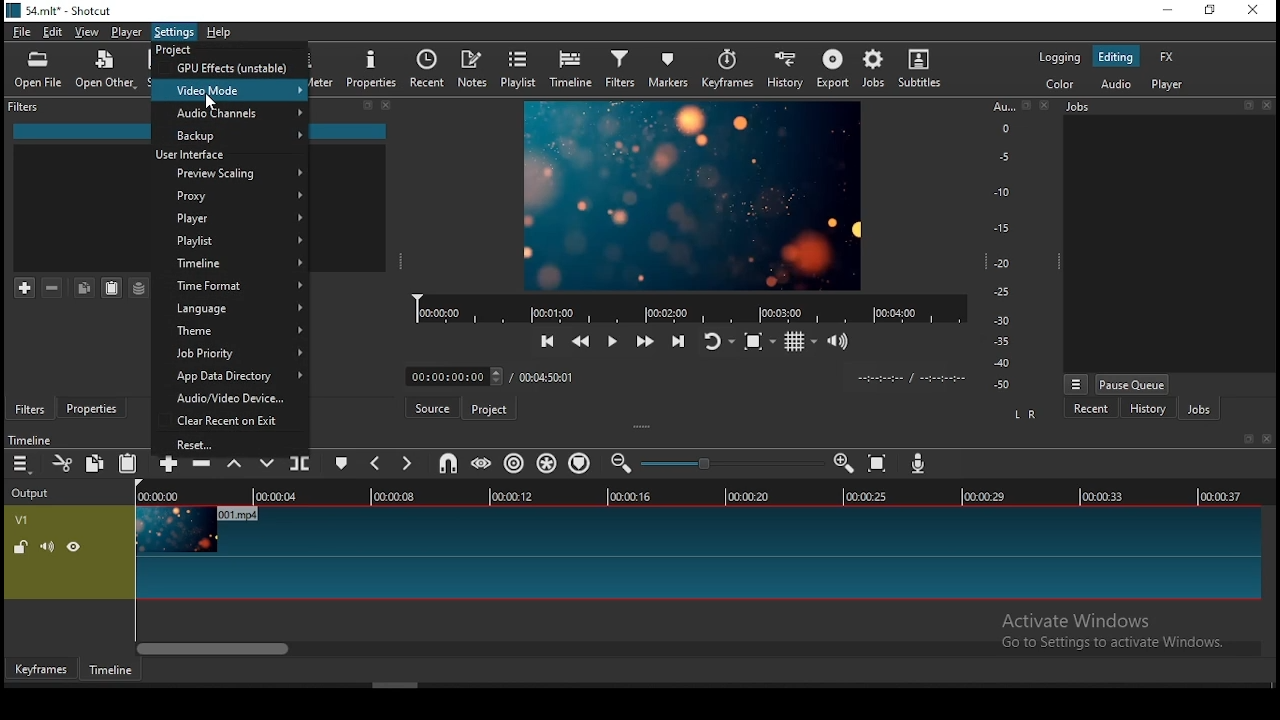 The width and height of the screenshot is (1280, 720). I want to click on play/pause, so click(612, 342).